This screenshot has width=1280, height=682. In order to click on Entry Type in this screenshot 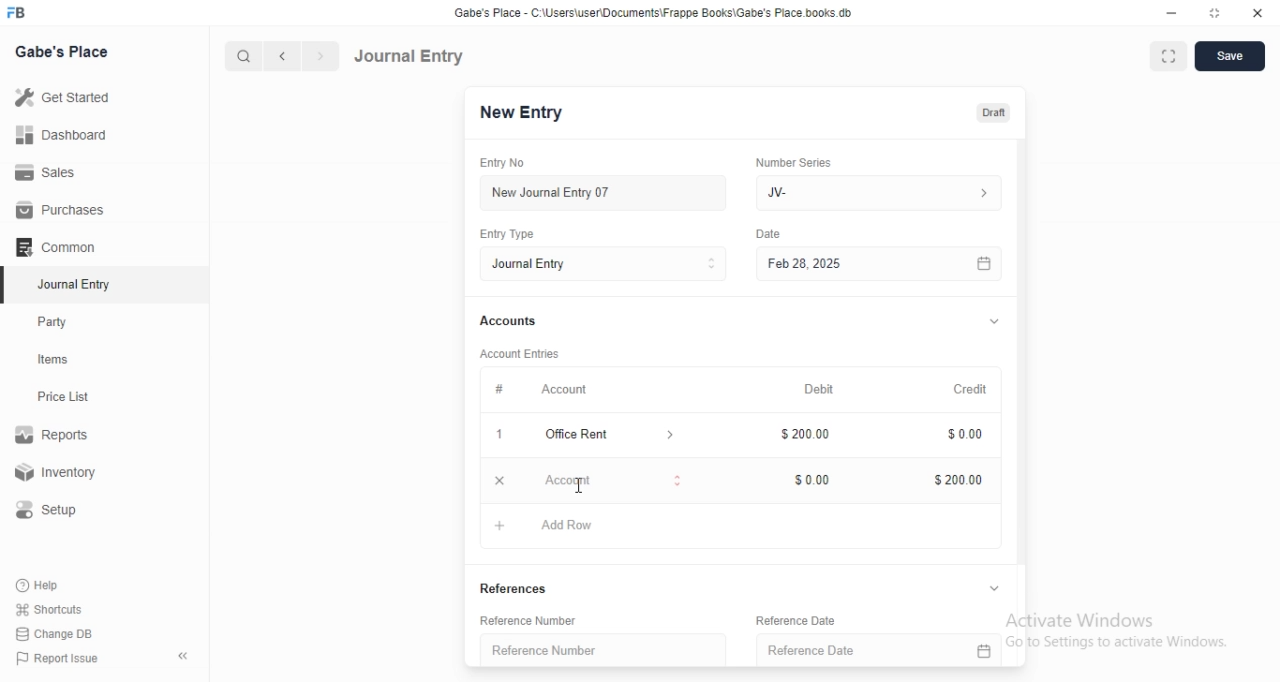, I will do `click(602, 264)`.